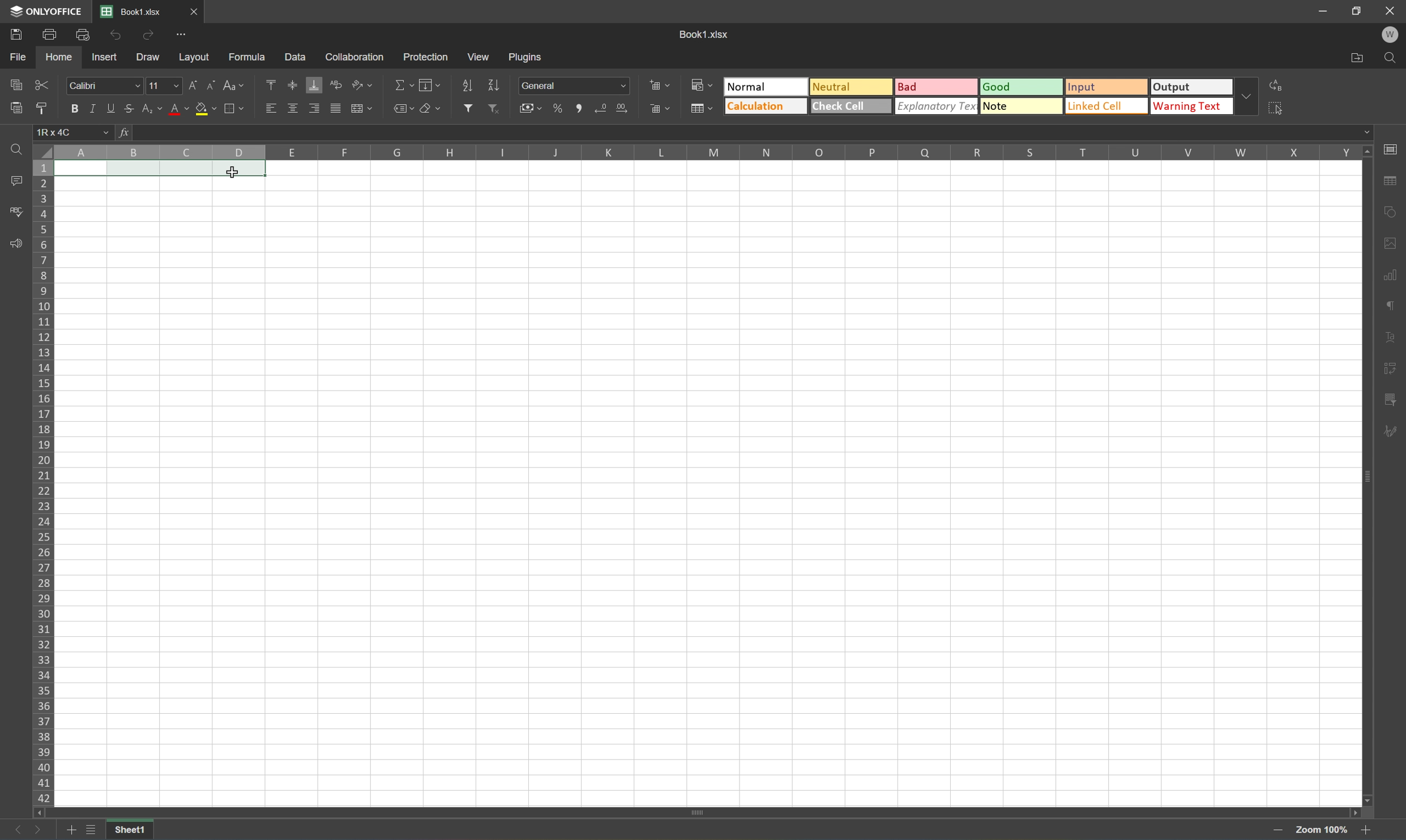  Describe the element at coordinates (39, 830) in the screenshot. I see `Next` at that location.